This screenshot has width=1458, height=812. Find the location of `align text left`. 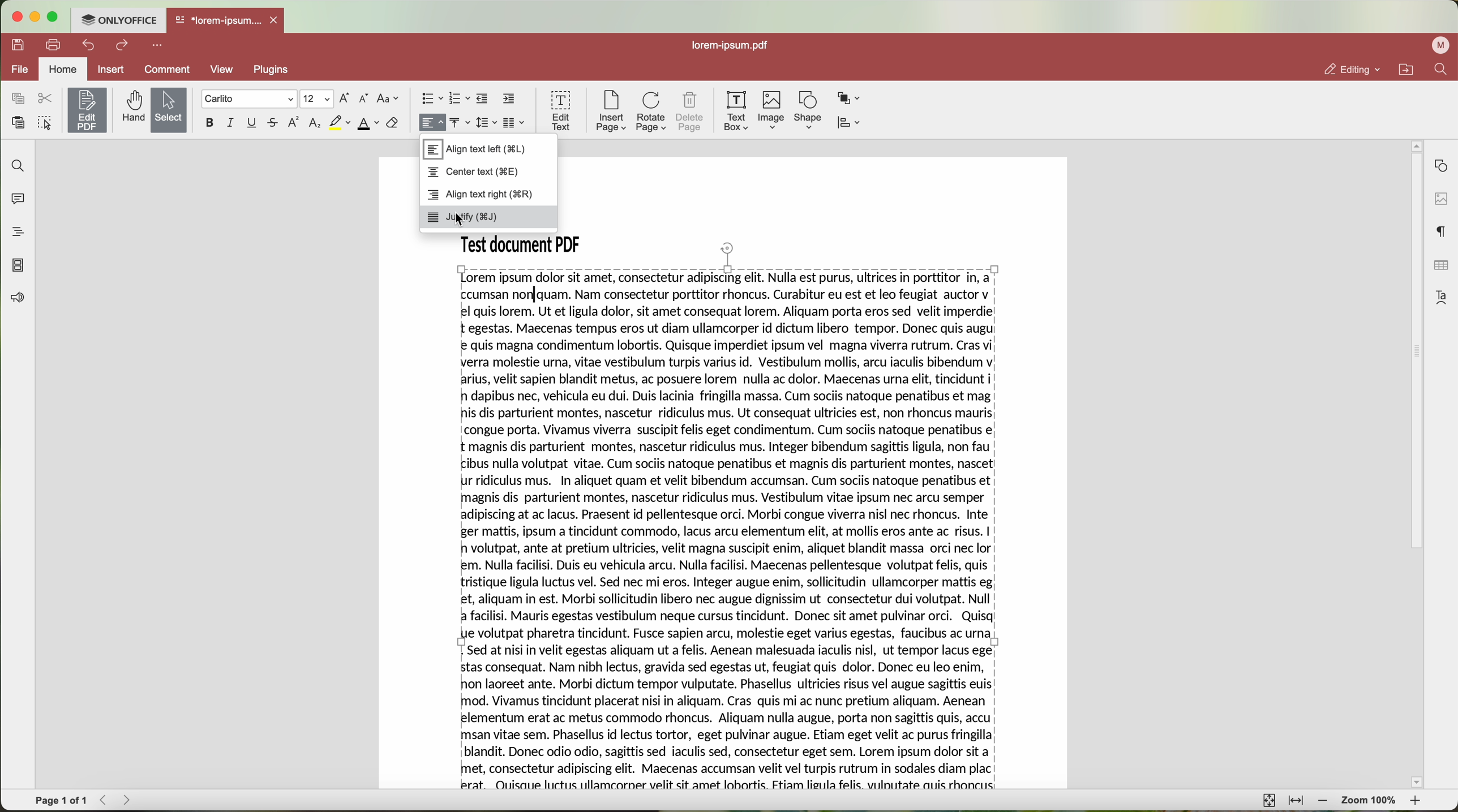

align text left is located at coordinates (474, 149).